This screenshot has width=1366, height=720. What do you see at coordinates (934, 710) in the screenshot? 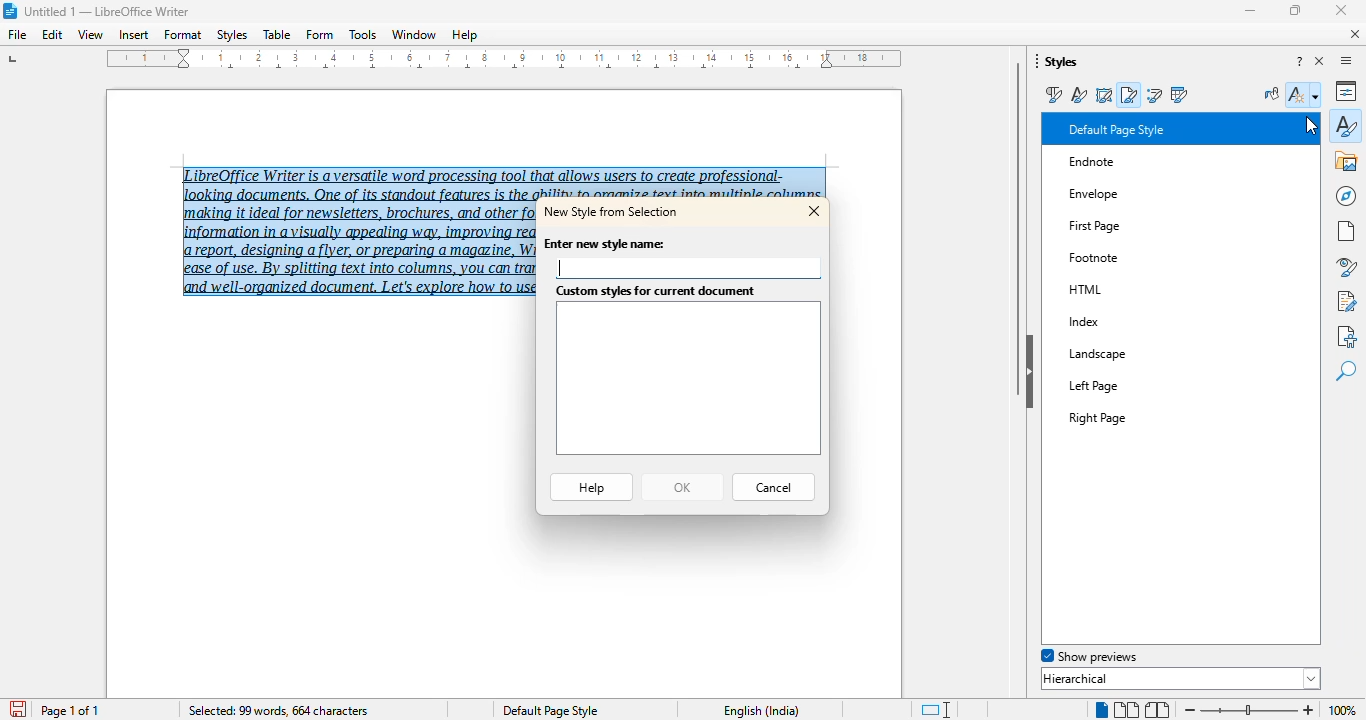
I see `standard selection` at bounding box center [934, 710].